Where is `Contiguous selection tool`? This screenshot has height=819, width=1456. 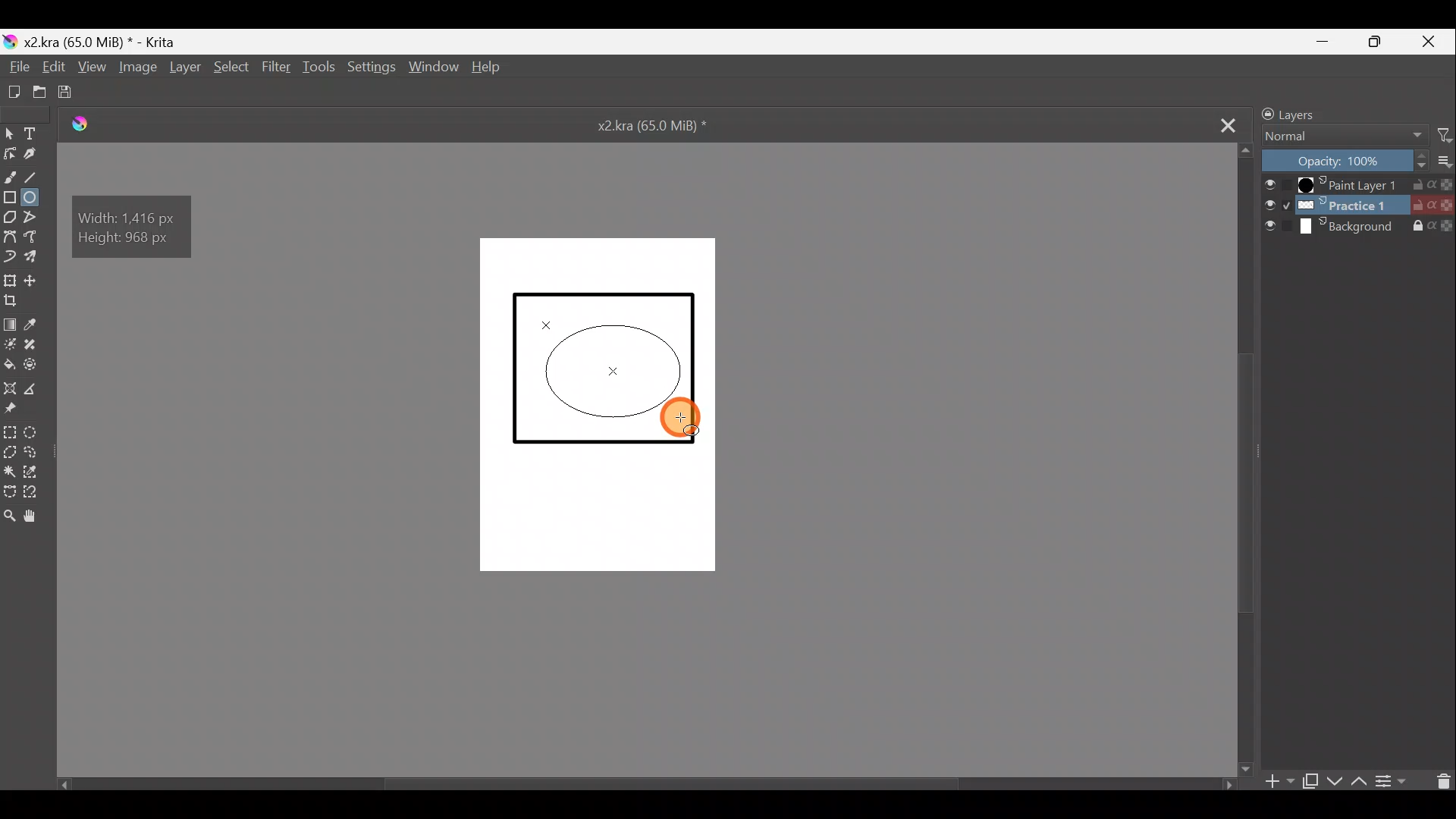
Contiguous selection tool is located at coordinates (9, 469).